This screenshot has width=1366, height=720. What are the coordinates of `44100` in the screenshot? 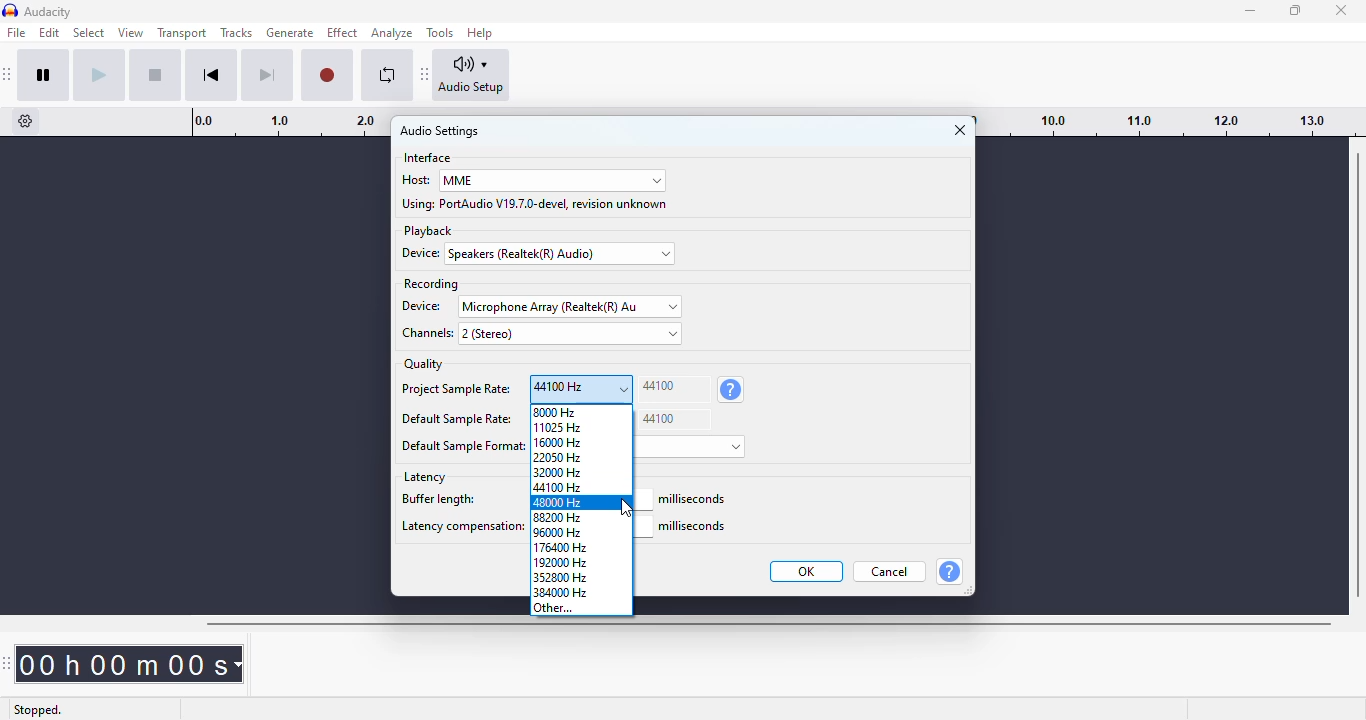 It's located at (674, 389).